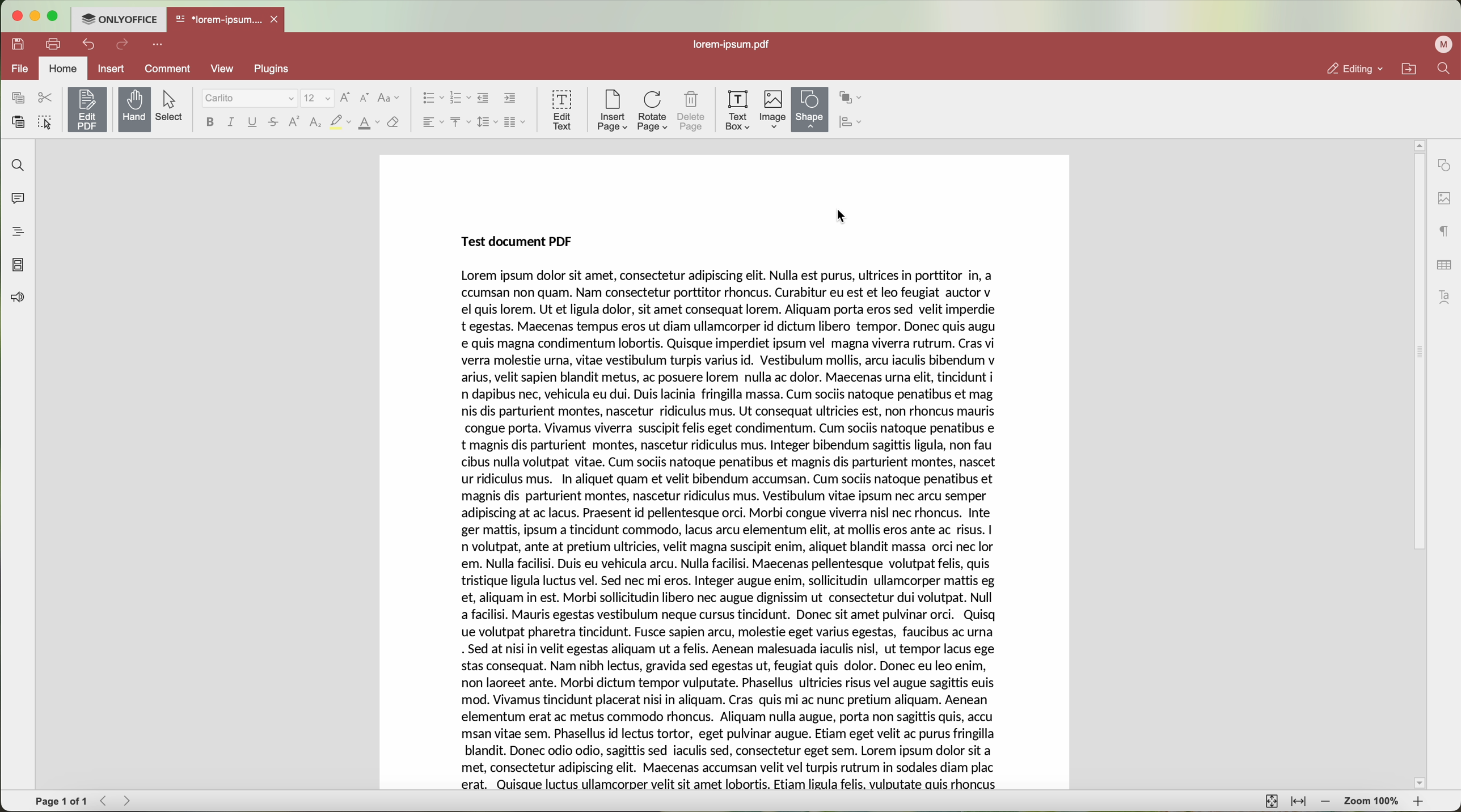 This screenshot has height=812, width=1461. Describe the element at coordinates (737, 45) in the screenshot. I see `lorem-ipsum.pdf` at that location.